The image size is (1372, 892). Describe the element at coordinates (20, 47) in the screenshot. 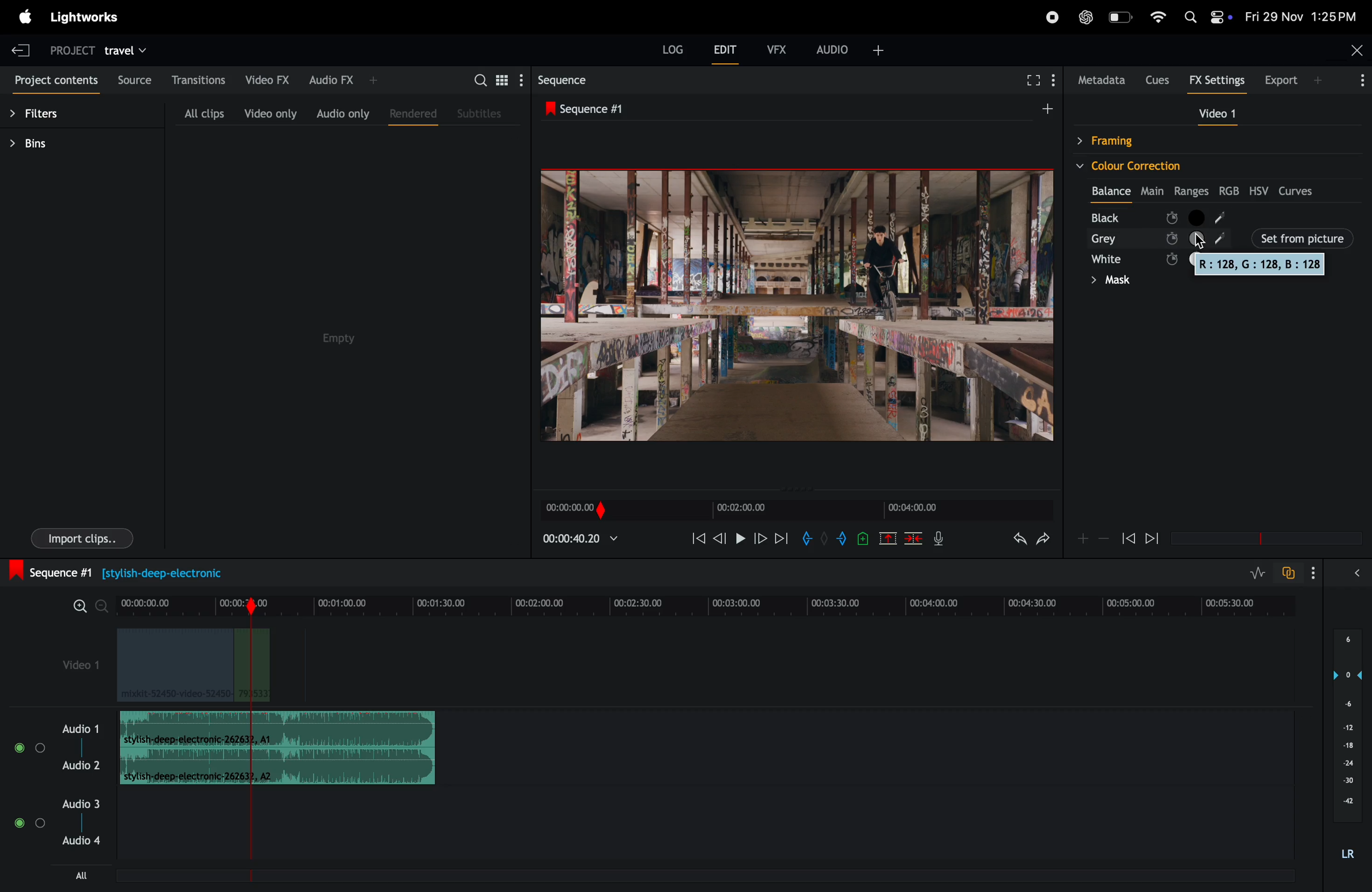

I see `exit` at that location.